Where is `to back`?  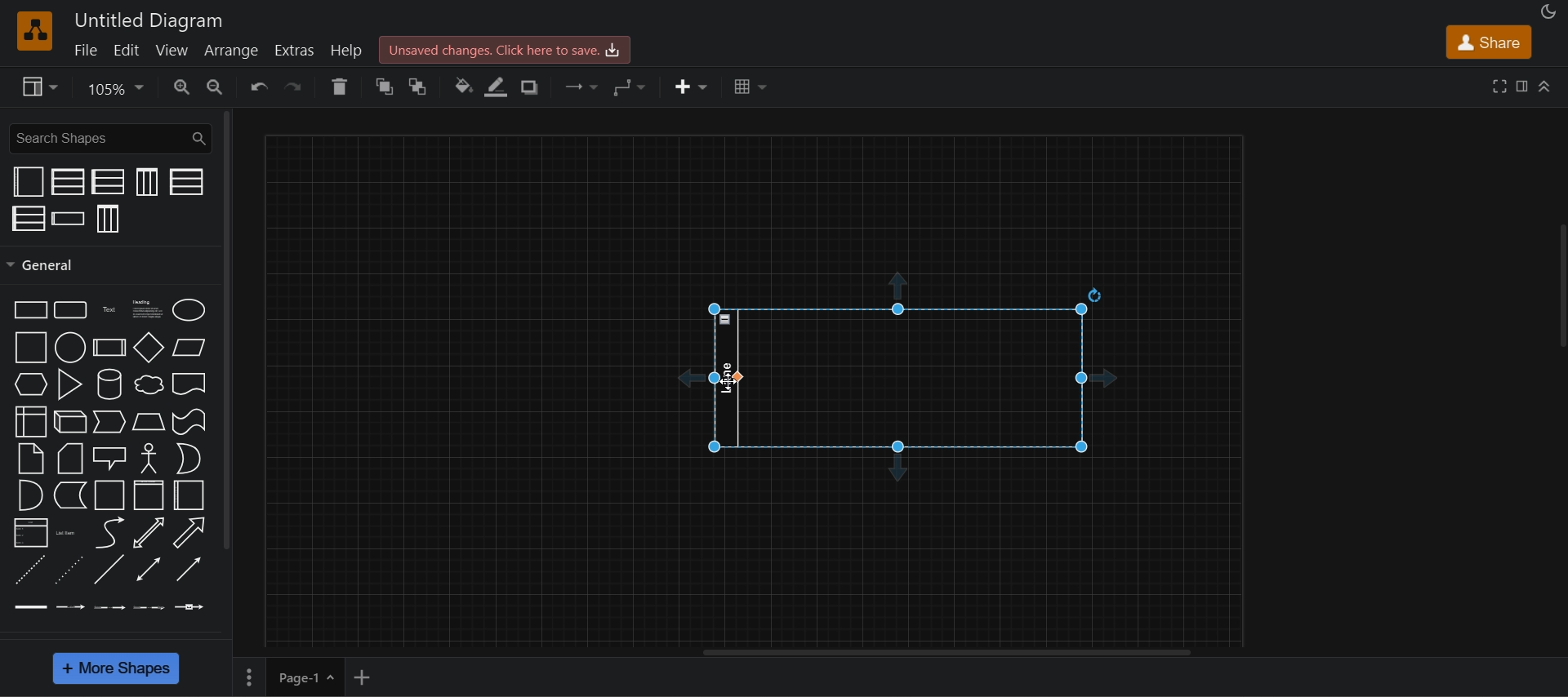
to back is located at coordinates (420, 87).